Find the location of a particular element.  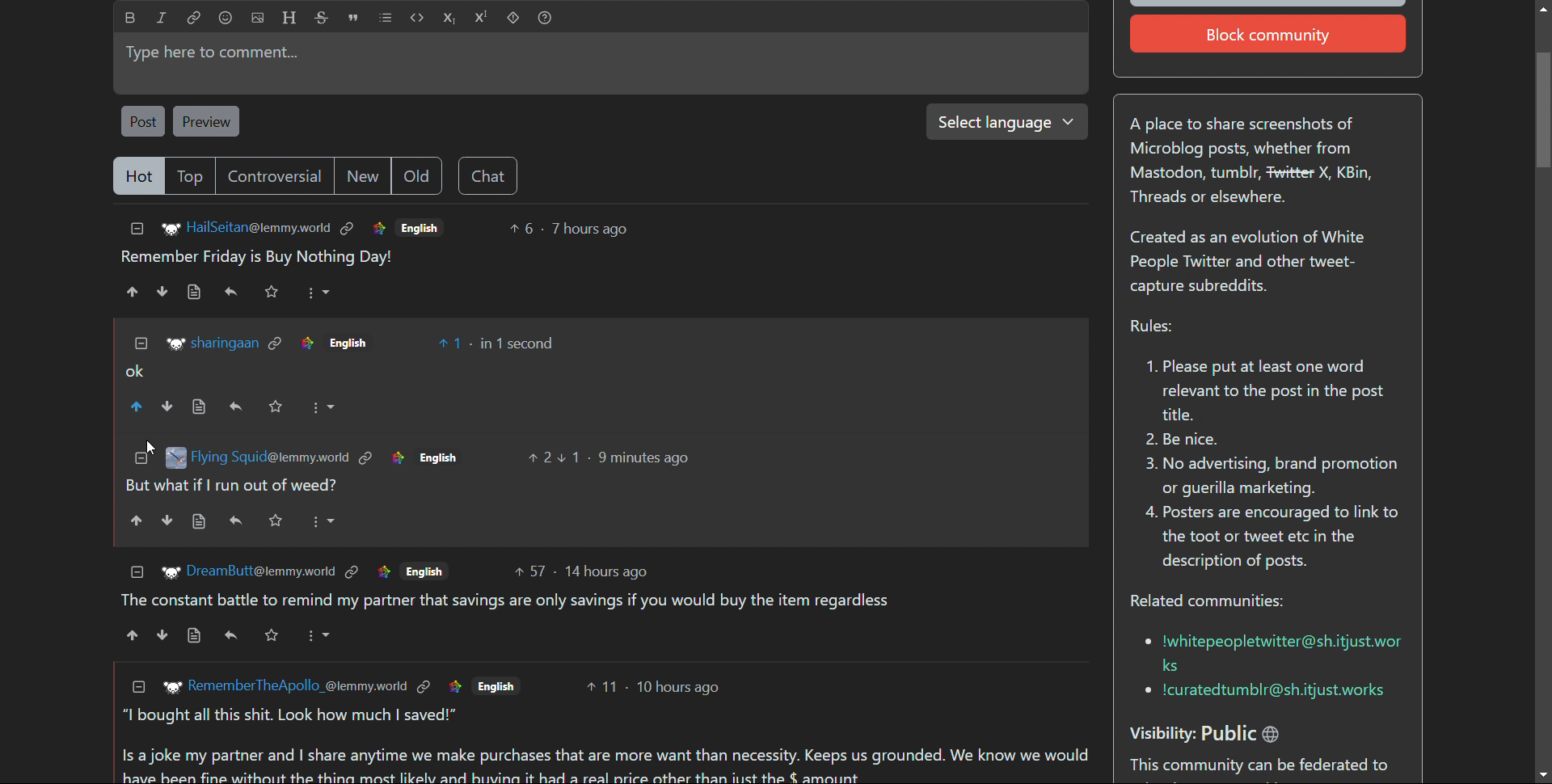

username is located at coordinates (269, 456).